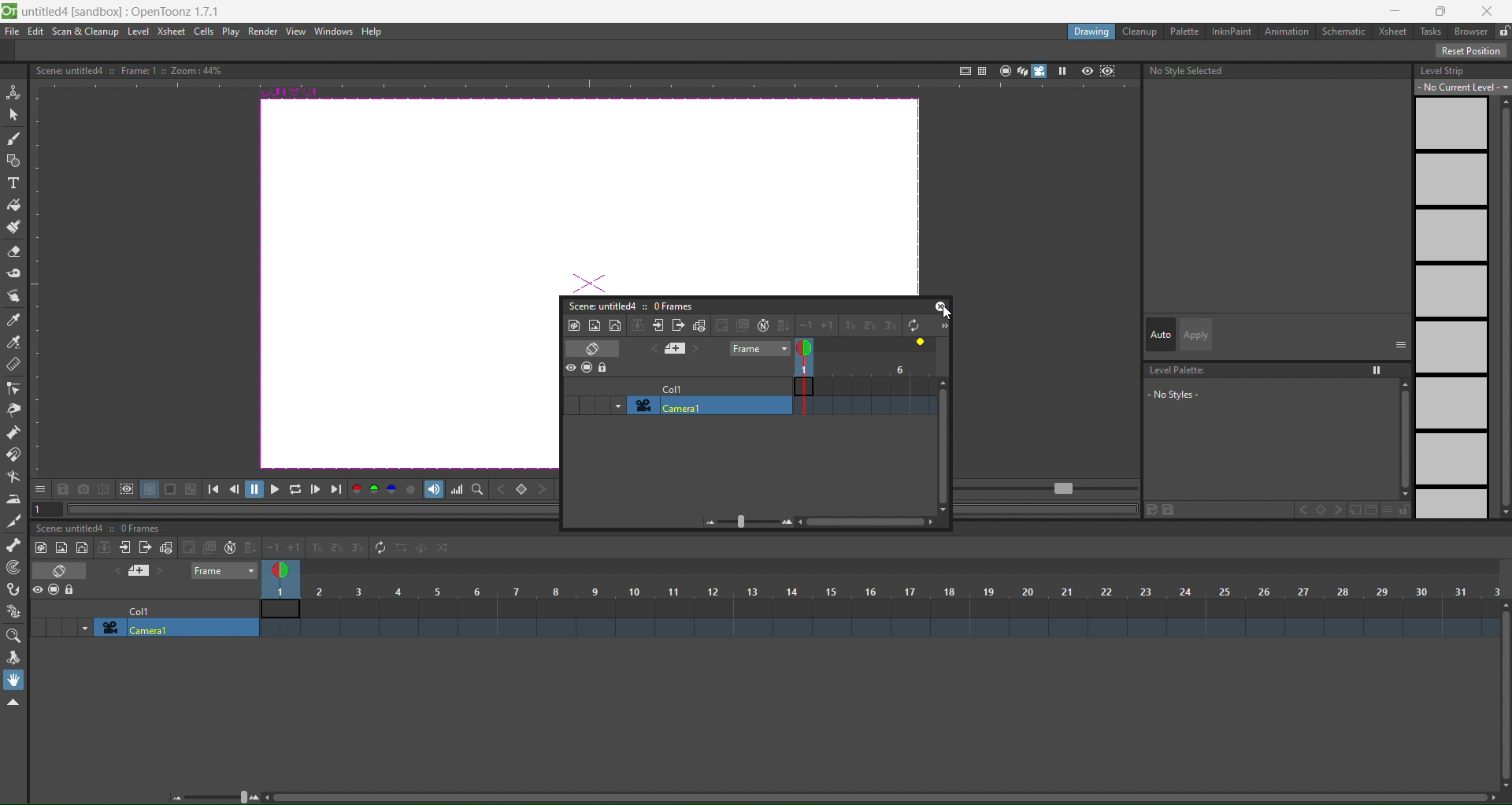  I want to click on selection tool, so click(14, 113).